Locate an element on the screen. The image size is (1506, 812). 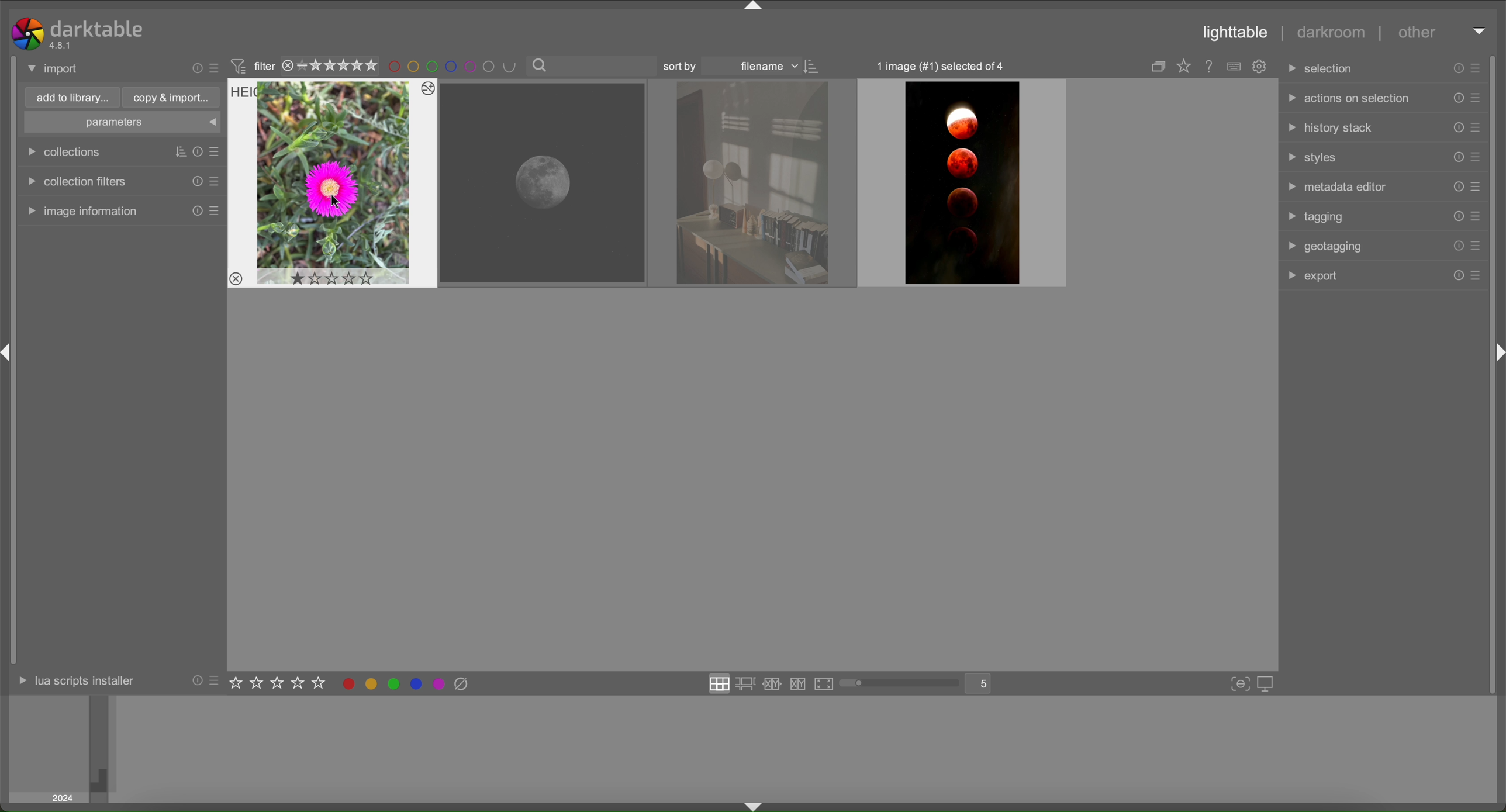
filter is located at coordinates (254, 65).